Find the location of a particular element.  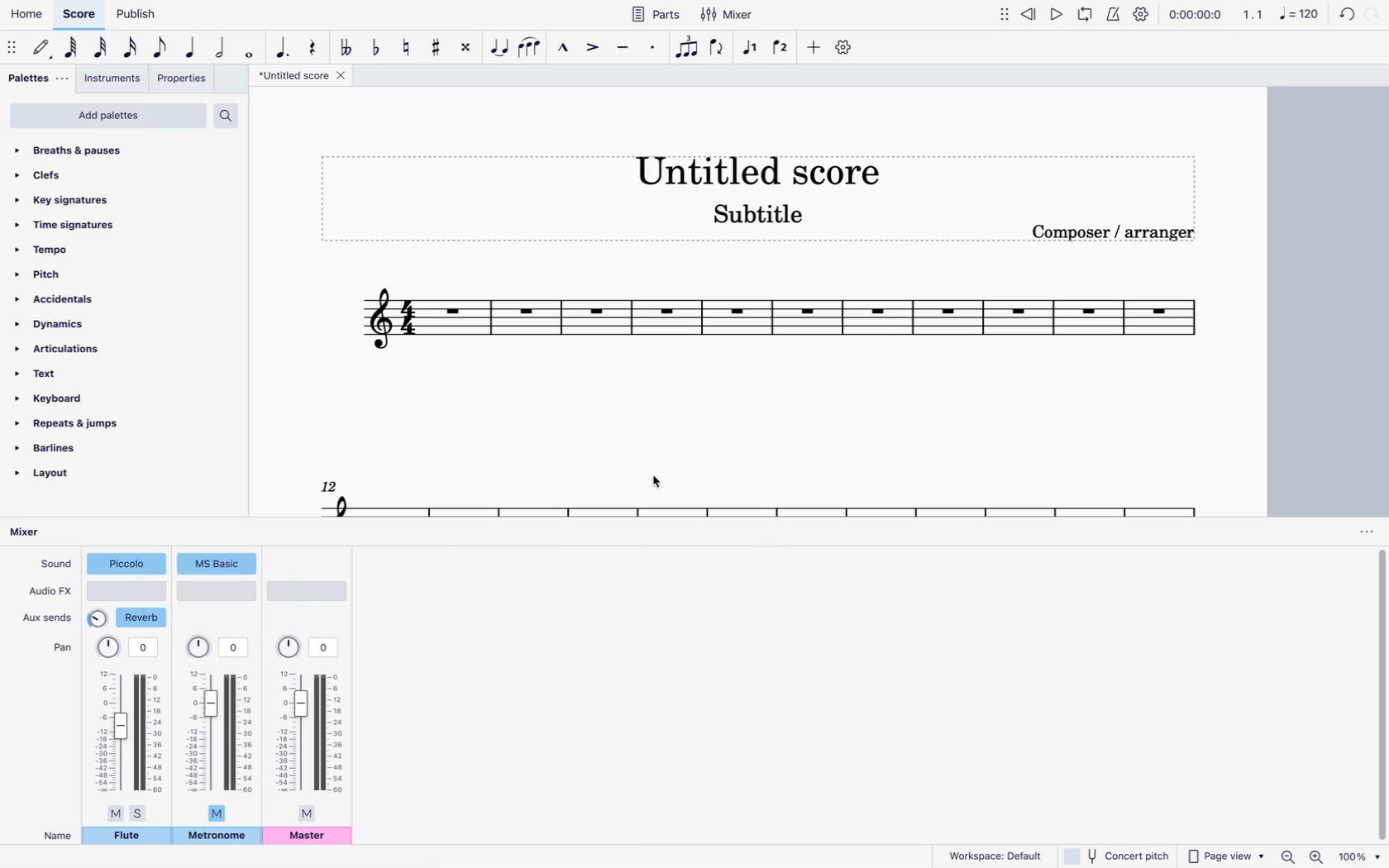

scale is located at coordinates (1281, 13).